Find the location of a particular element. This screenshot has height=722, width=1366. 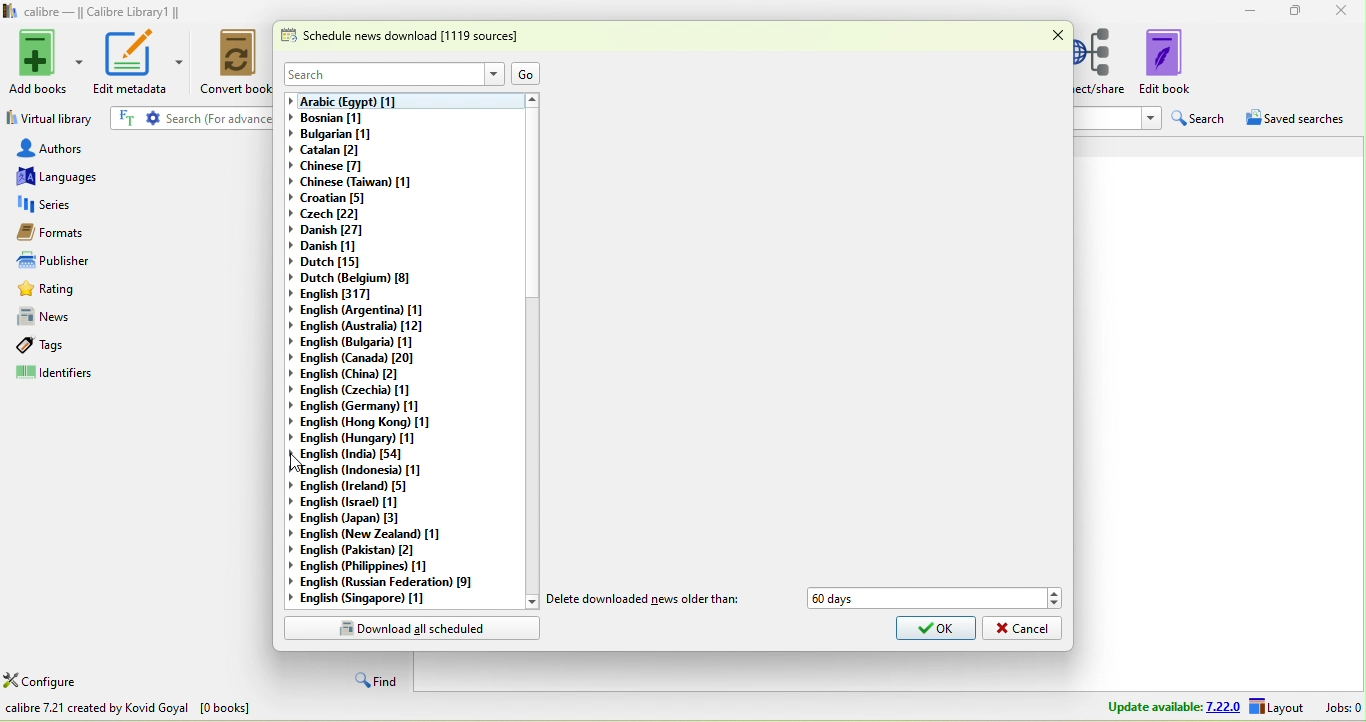

english (hungary)[1] is located at coordinates (369, 439).